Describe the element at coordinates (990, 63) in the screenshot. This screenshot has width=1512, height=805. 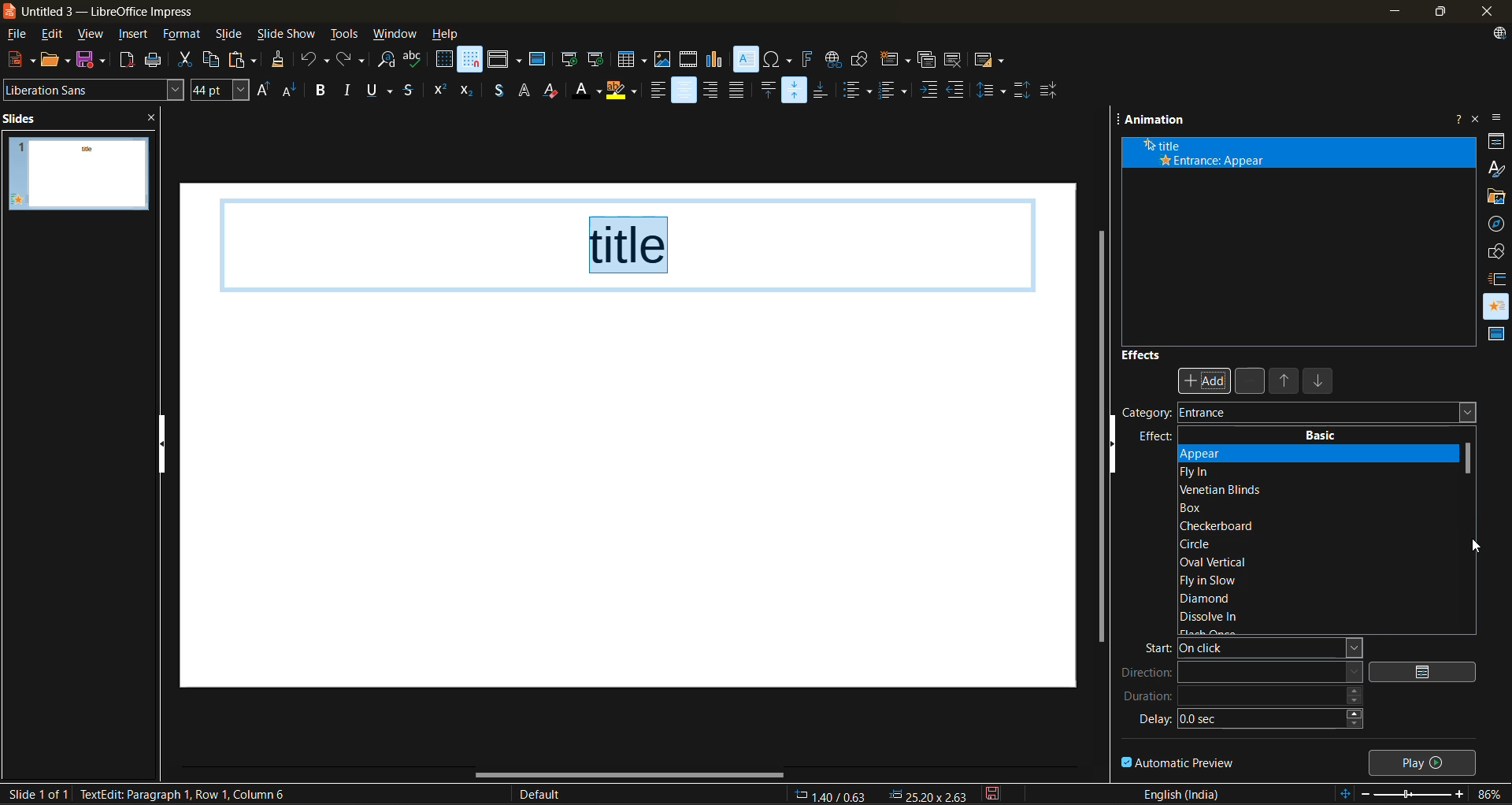
I see `slide layout` at that location.